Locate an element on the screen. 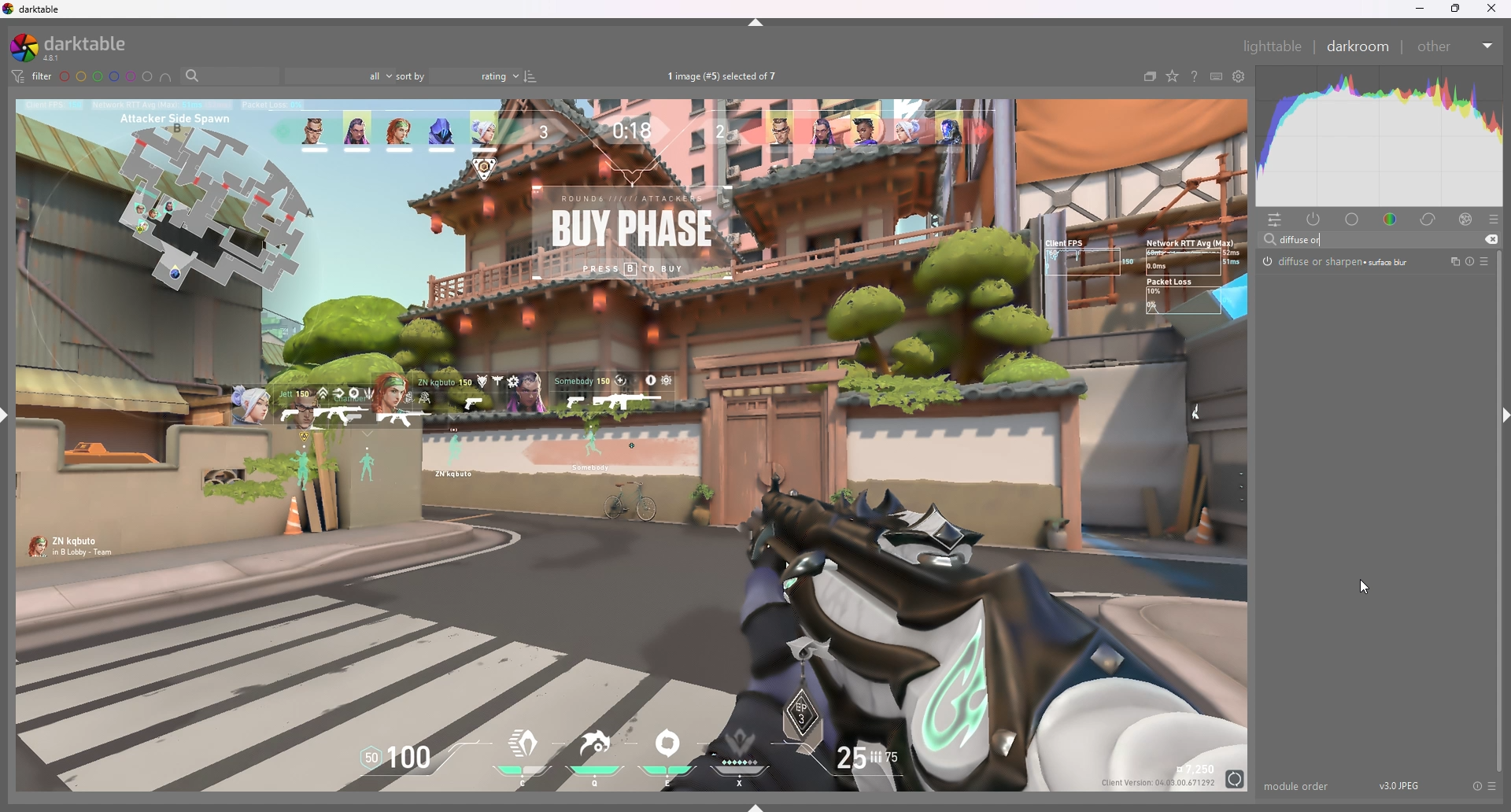 The image size is (1511, 812). minimize is located at coordinates (1417, 9).